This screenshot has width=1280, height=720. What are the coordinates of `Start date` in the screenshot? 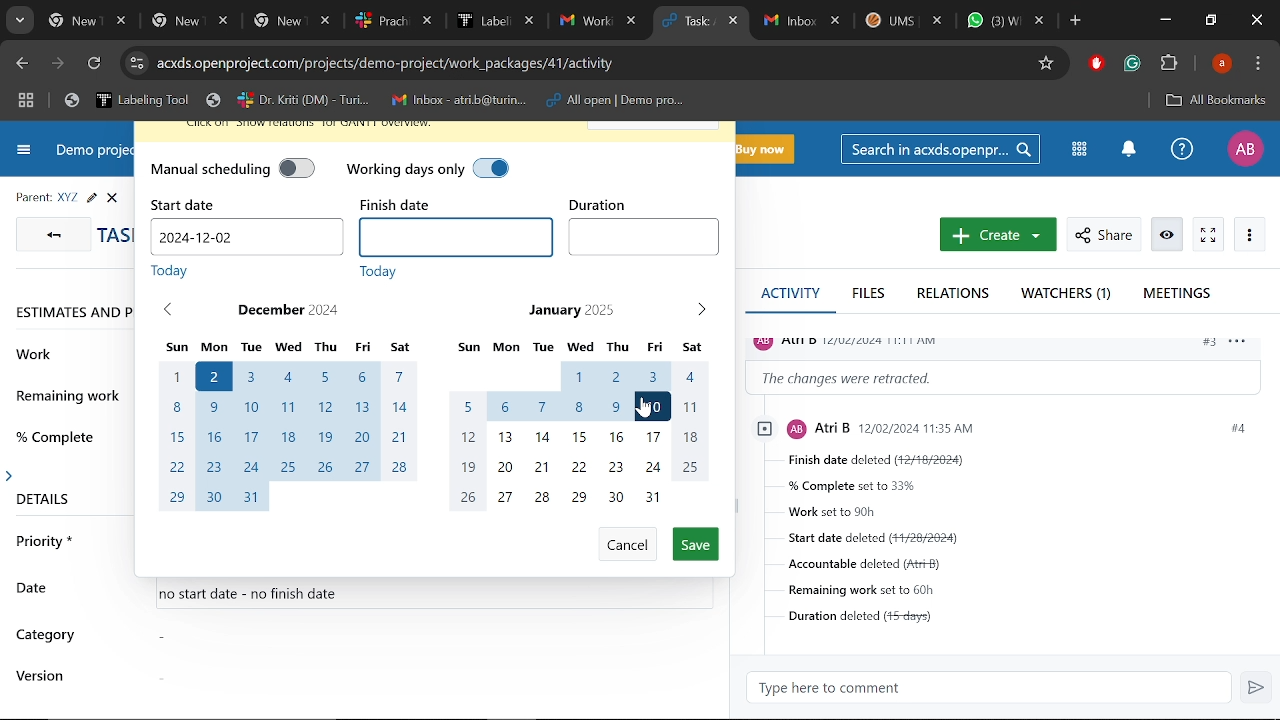 It's located at (246, 237).